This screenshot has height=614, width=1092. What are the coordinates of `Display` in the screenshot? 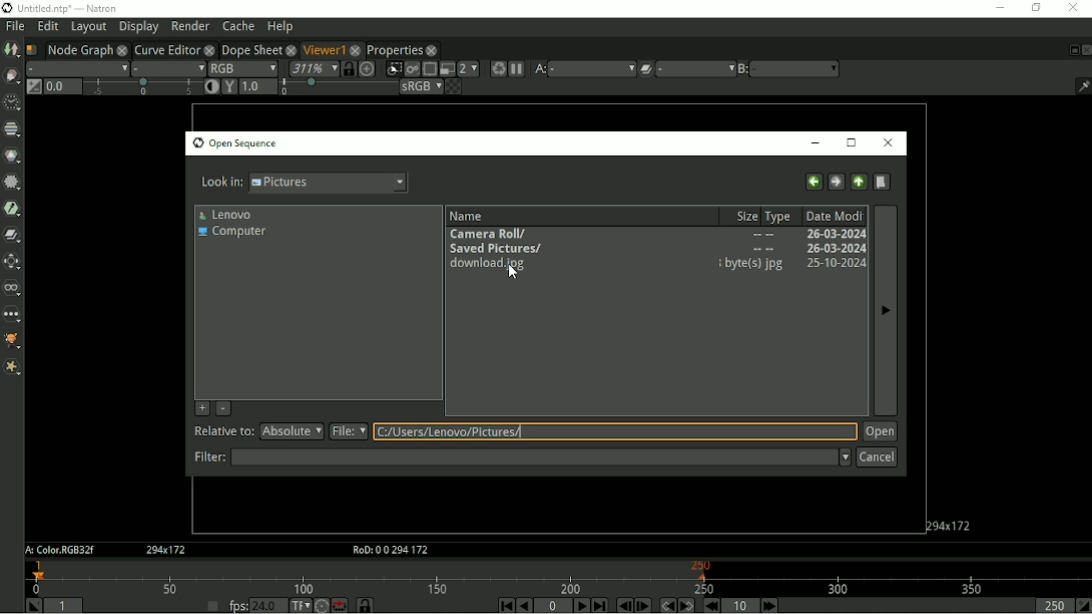 It's located at (138, 28).